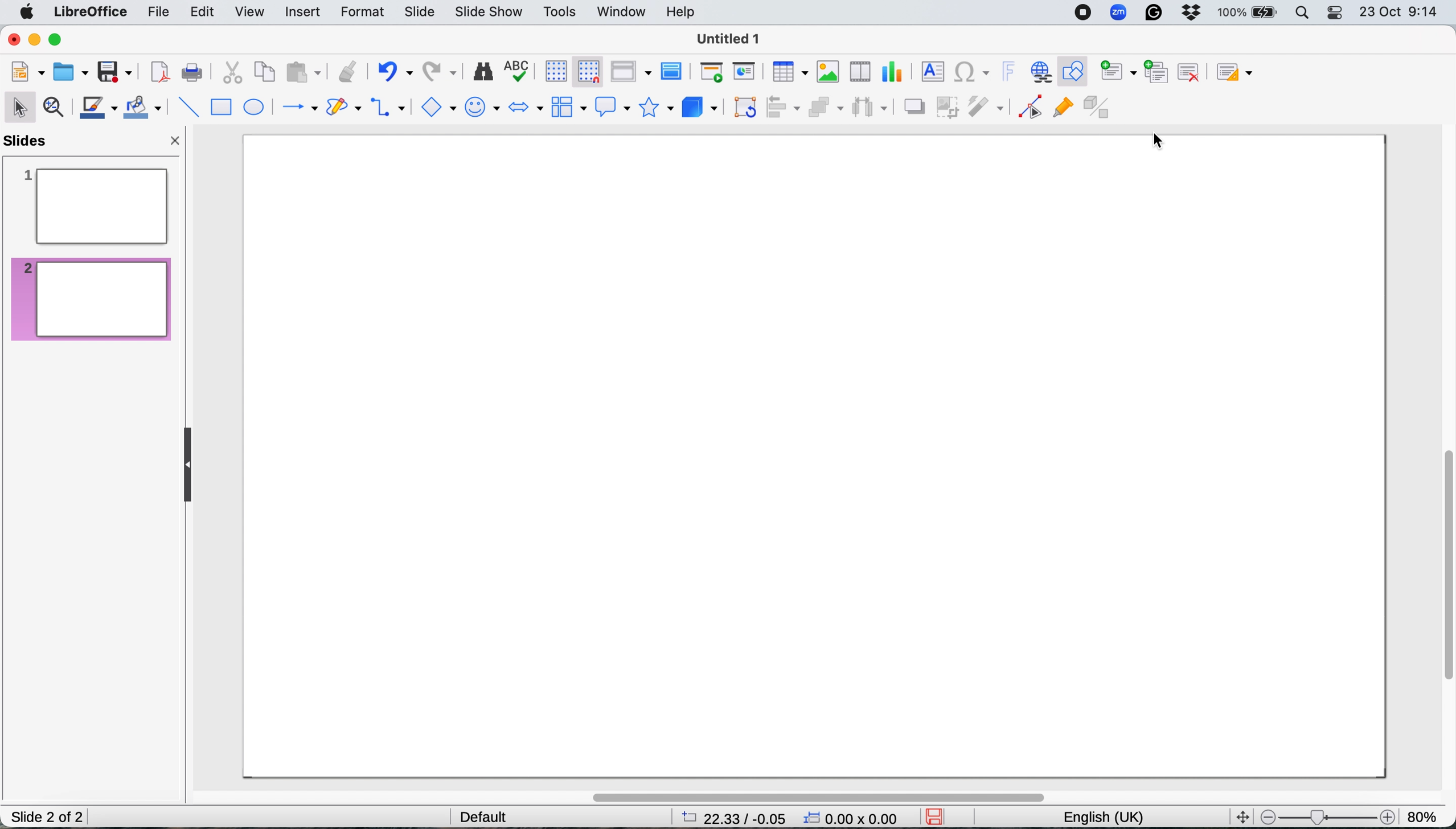 The width and height of the screenshot is (1456, 829). Describe the element at coordinates (1337, 14) in the screenshot. I see `control center` at that location.